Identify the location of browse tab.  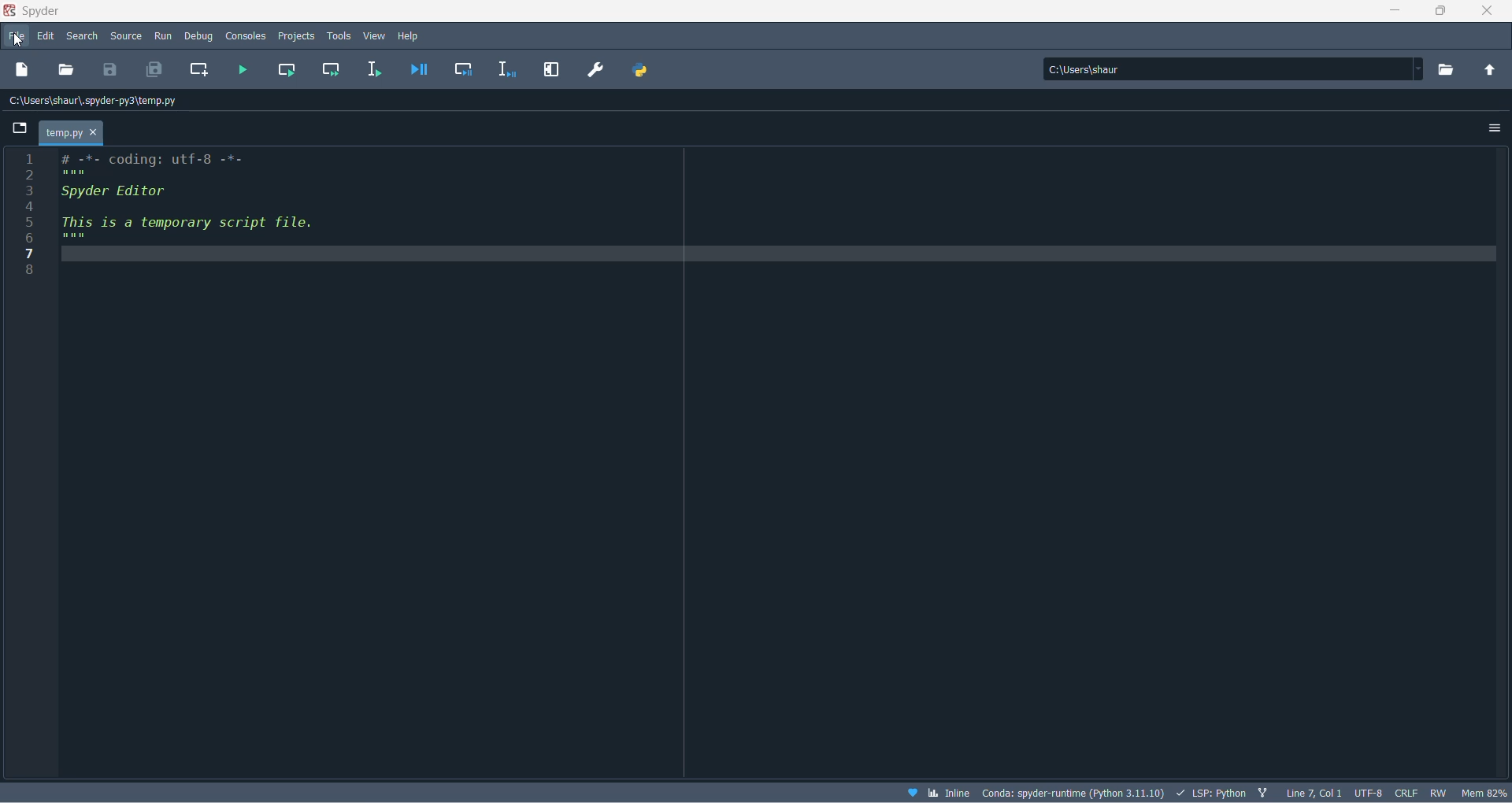
(24, 128).